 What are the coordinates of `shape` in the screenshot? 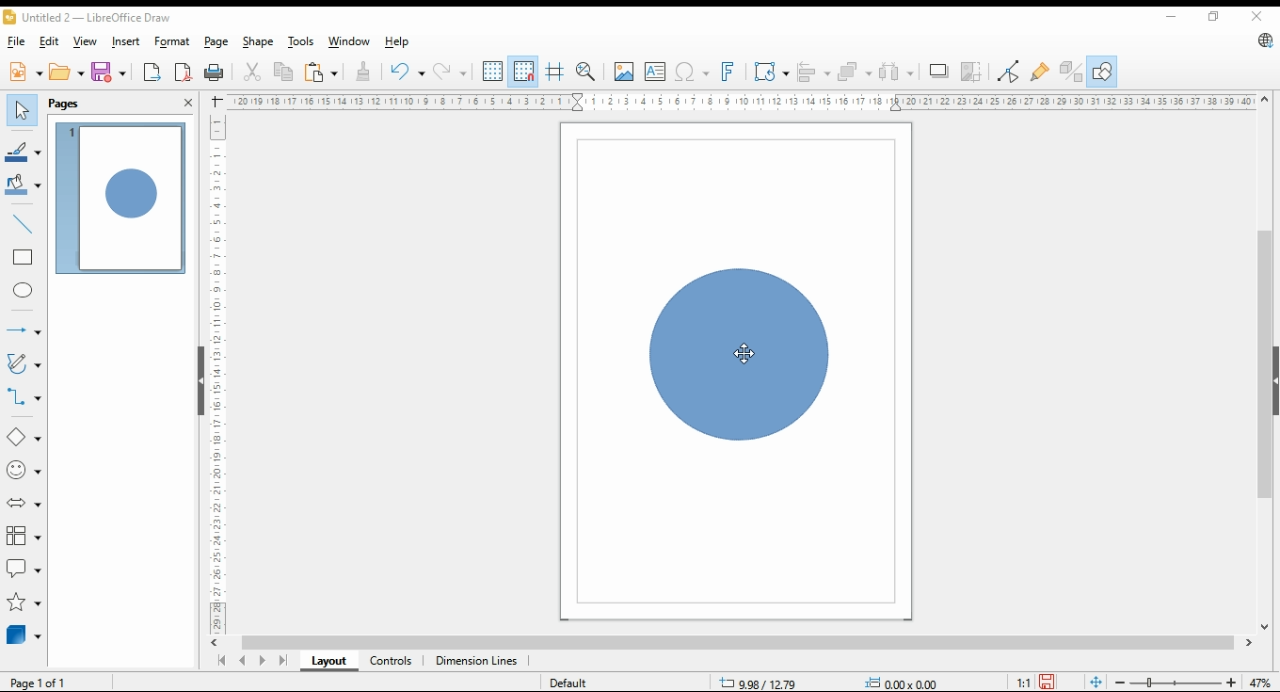 It's located at (258, 42).